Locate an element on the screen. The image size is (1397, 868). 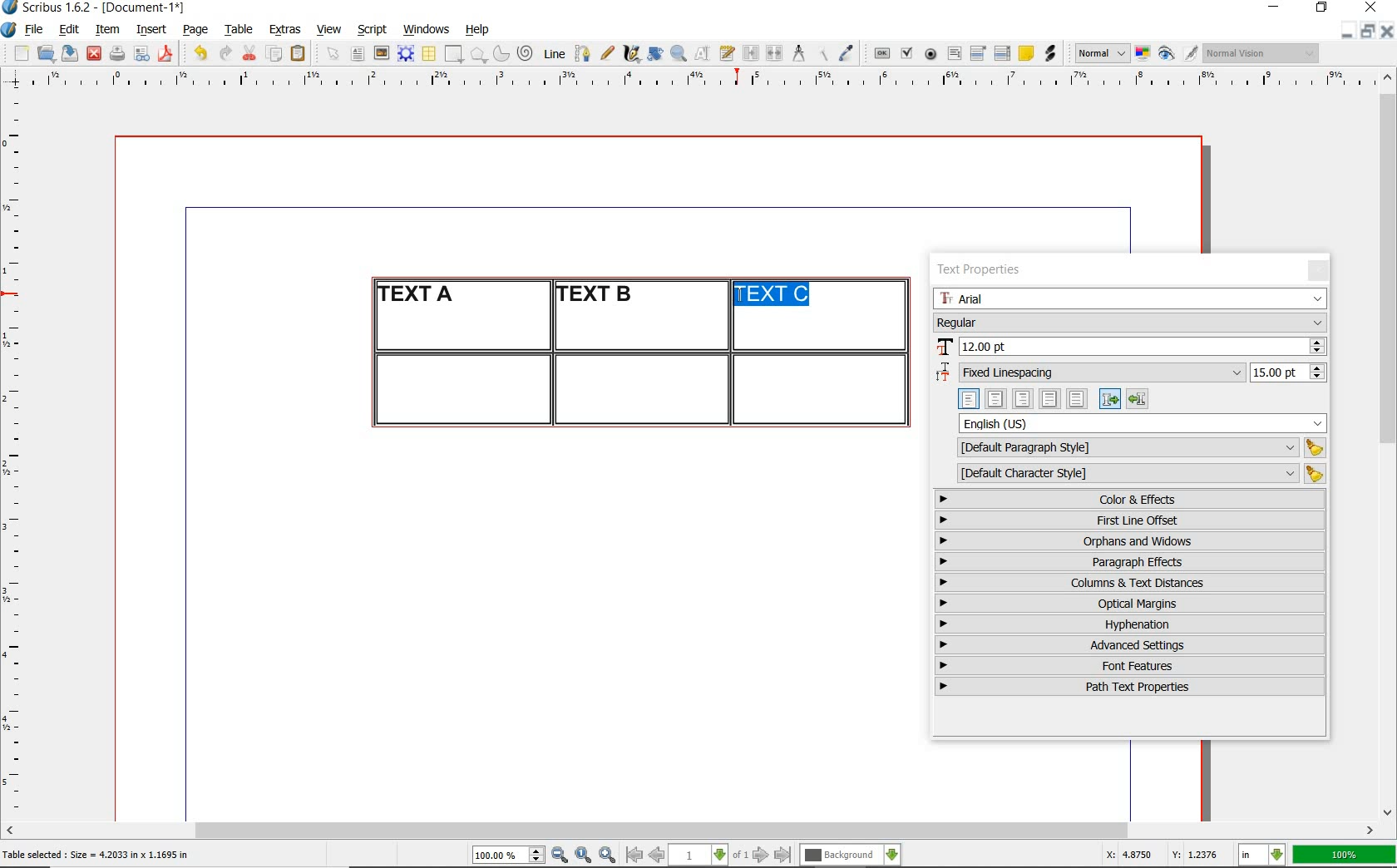
help is located at coordinates (476, 31).